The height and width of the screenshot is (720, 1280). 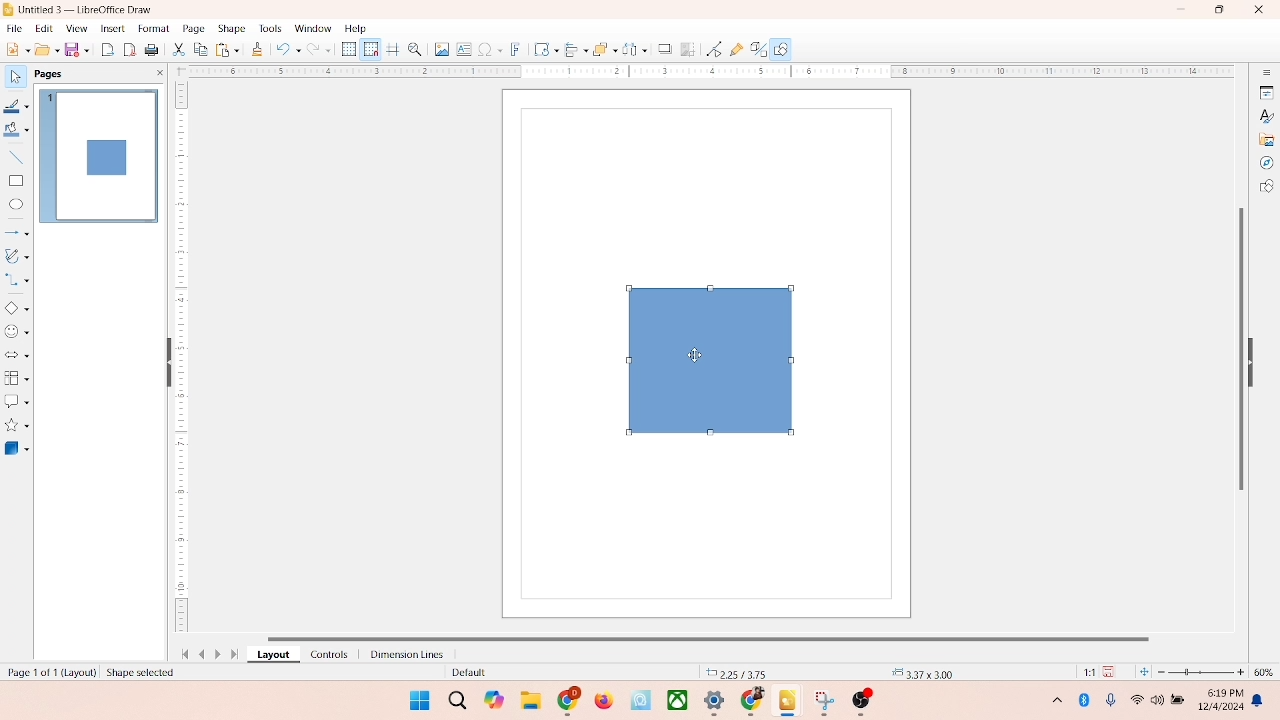 What do you see at coordinates (17, 332) in the screenshot?
I see `symbol shapes` at bounding box center [17, 332].